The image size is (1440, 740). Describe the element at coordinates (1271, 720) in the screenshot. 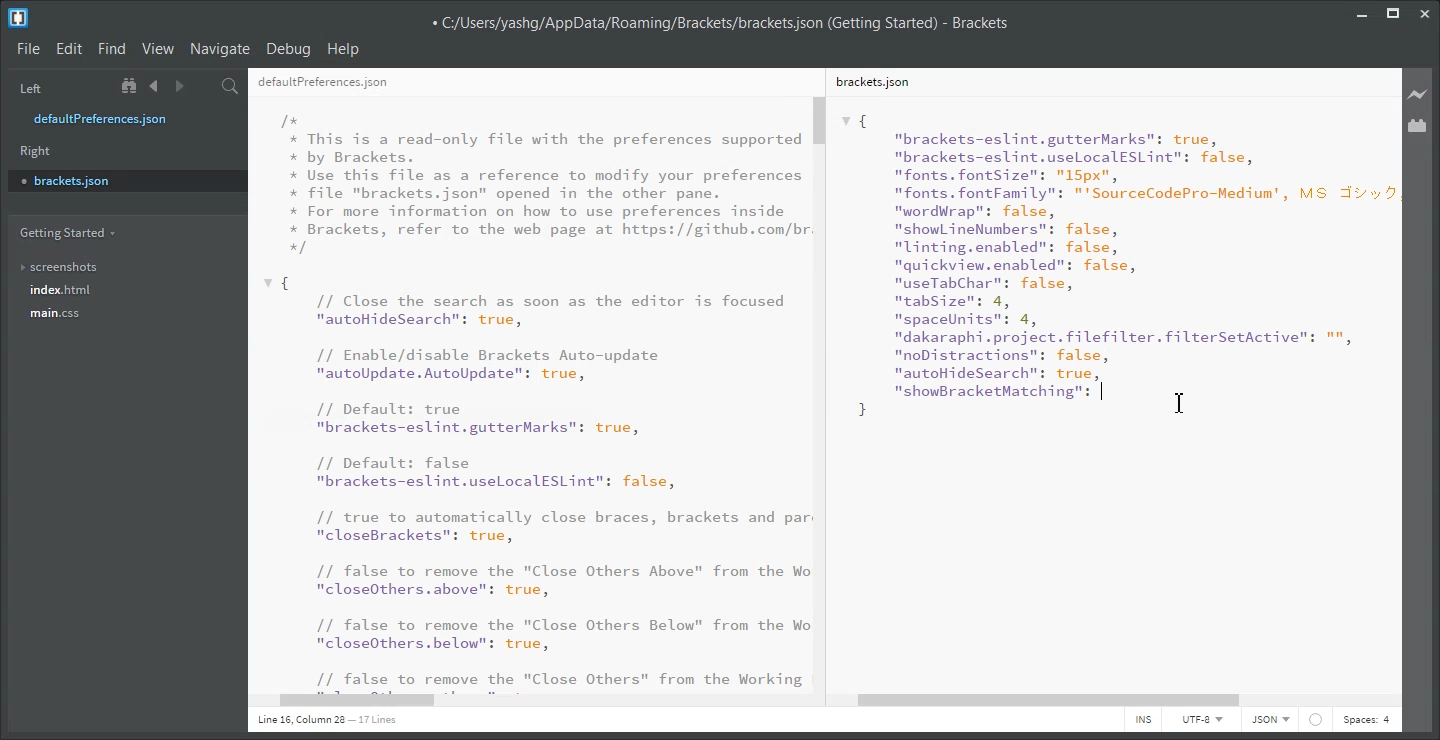

I see `JSON` at that location.